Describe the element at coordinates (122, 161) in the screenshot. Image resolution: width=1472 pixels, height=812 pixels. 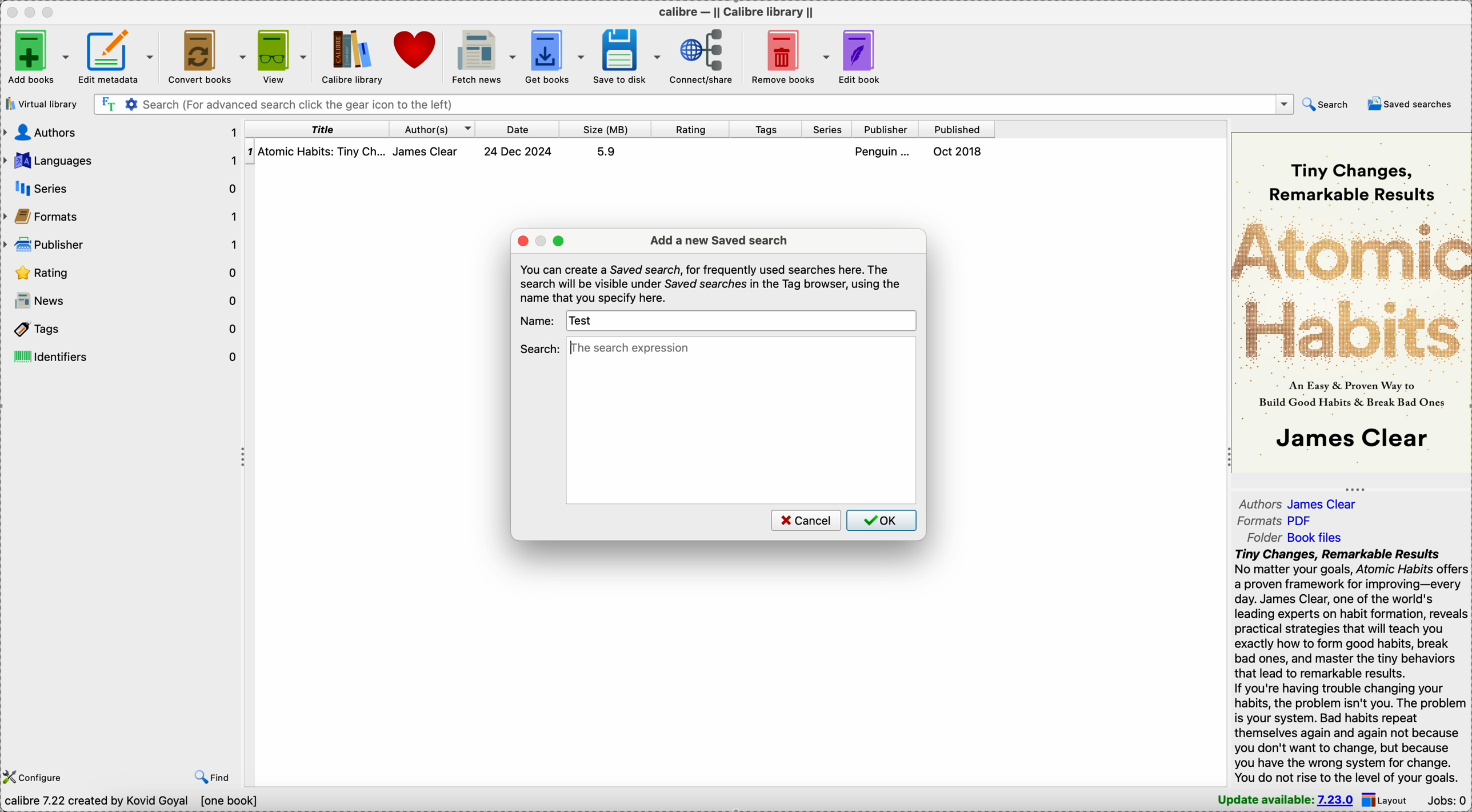
I see `languages` at that location.